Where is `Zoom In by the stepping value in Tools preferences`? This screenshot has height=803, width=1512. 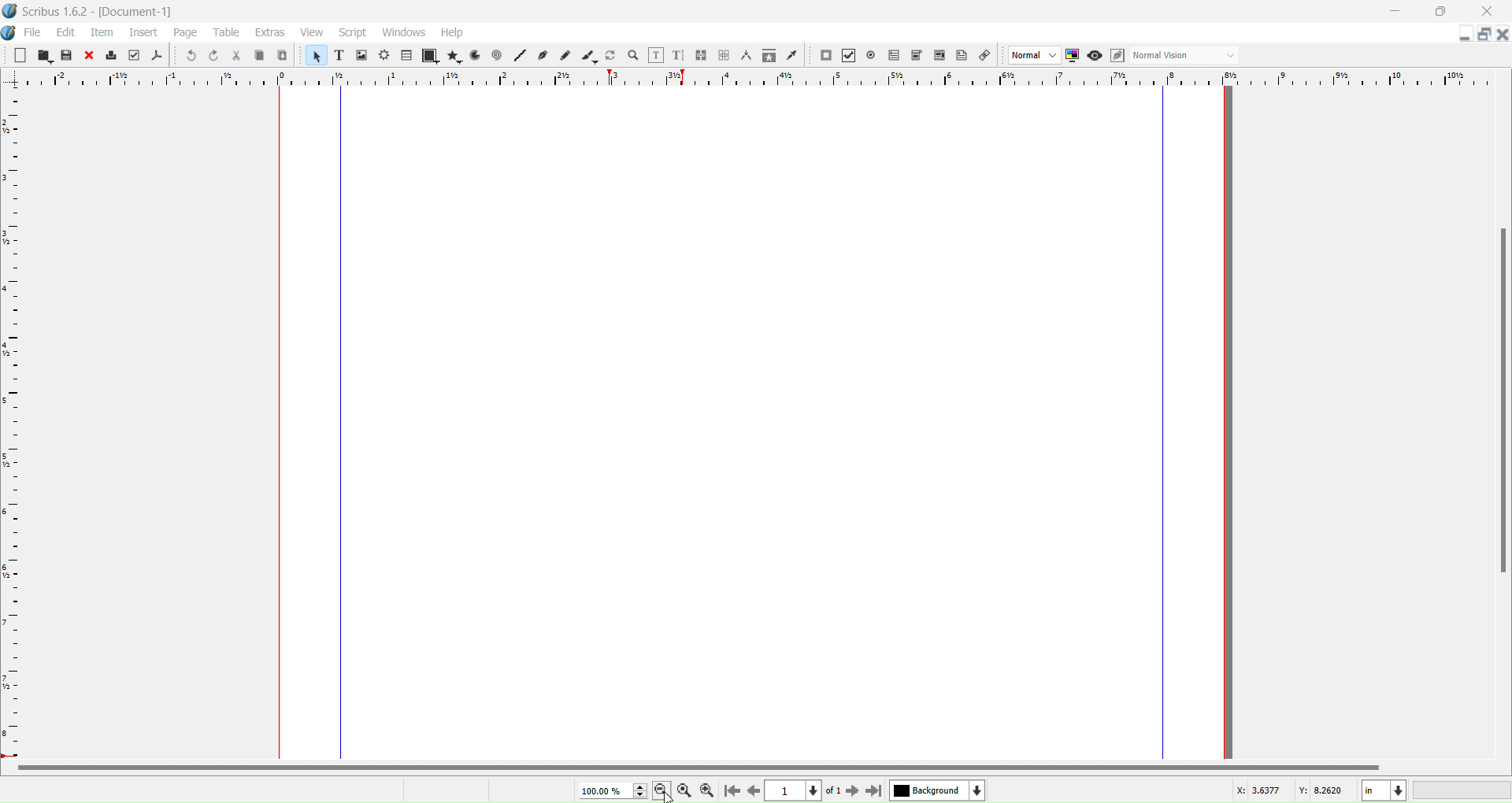
Zoom In by the stepping value in Tools preferences is located at coordinates (710, 792).